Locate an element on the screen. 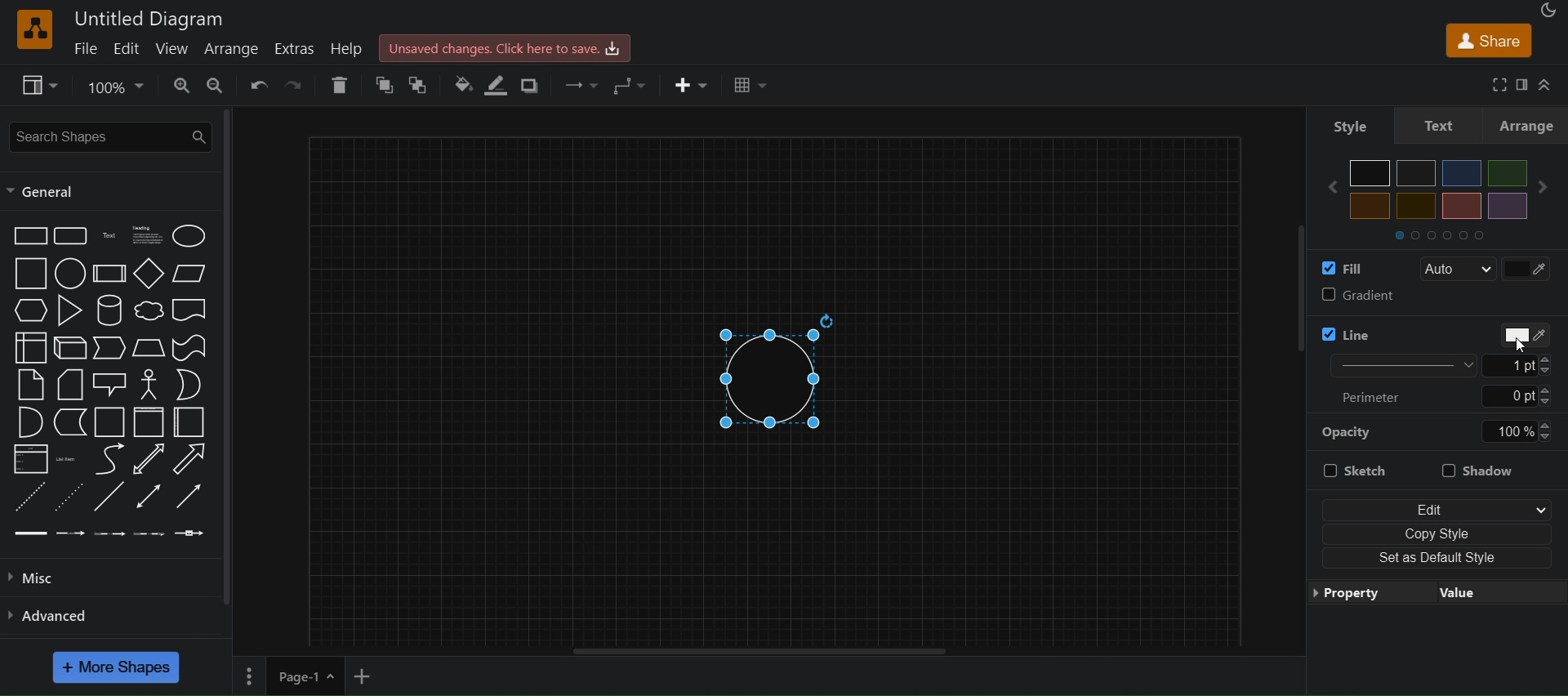  horizontal container is located at coordinates (189, 422).